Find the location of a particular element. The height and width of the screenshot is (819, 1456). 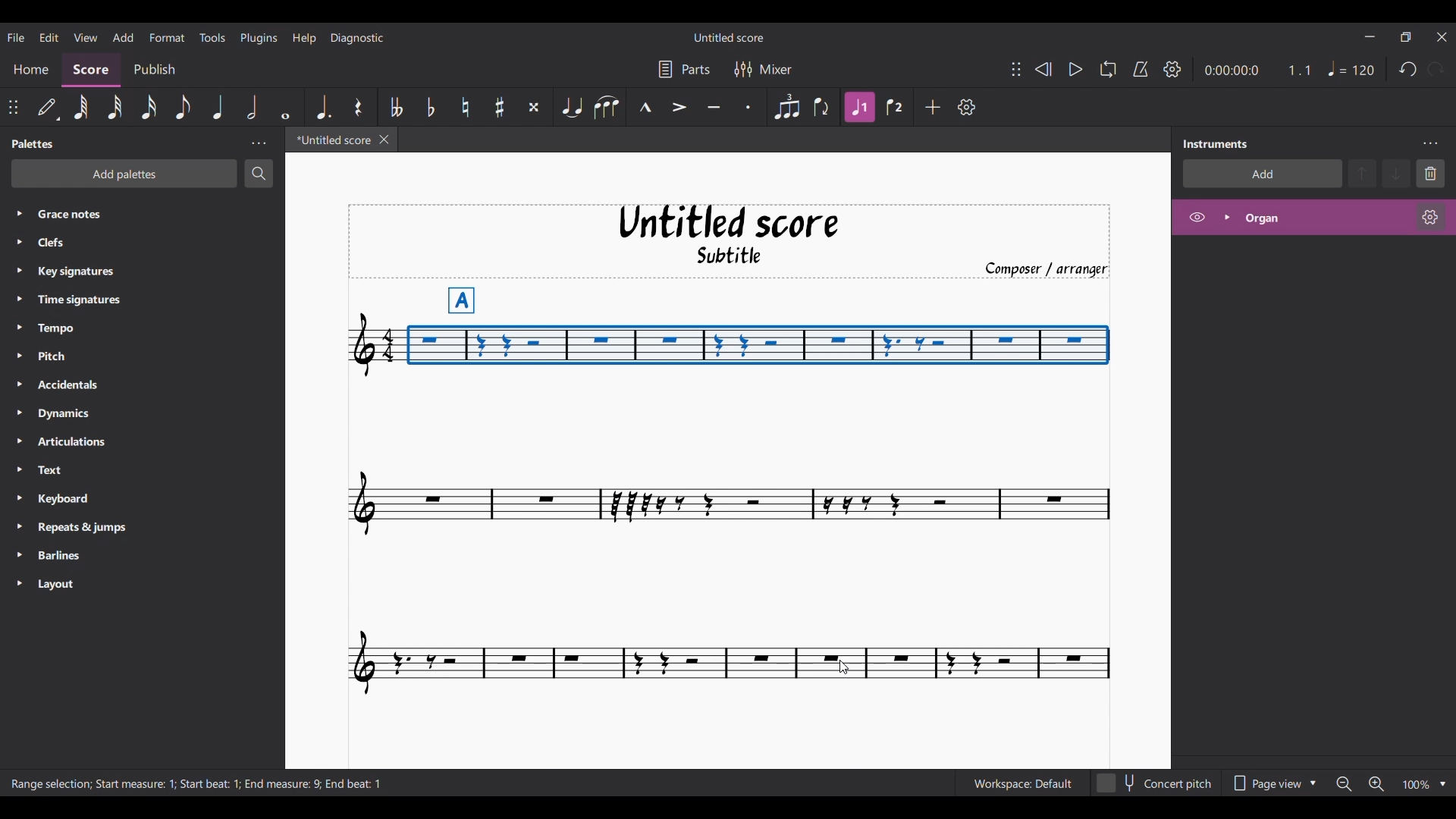

Tuplet is located at coordinates (787, 108).